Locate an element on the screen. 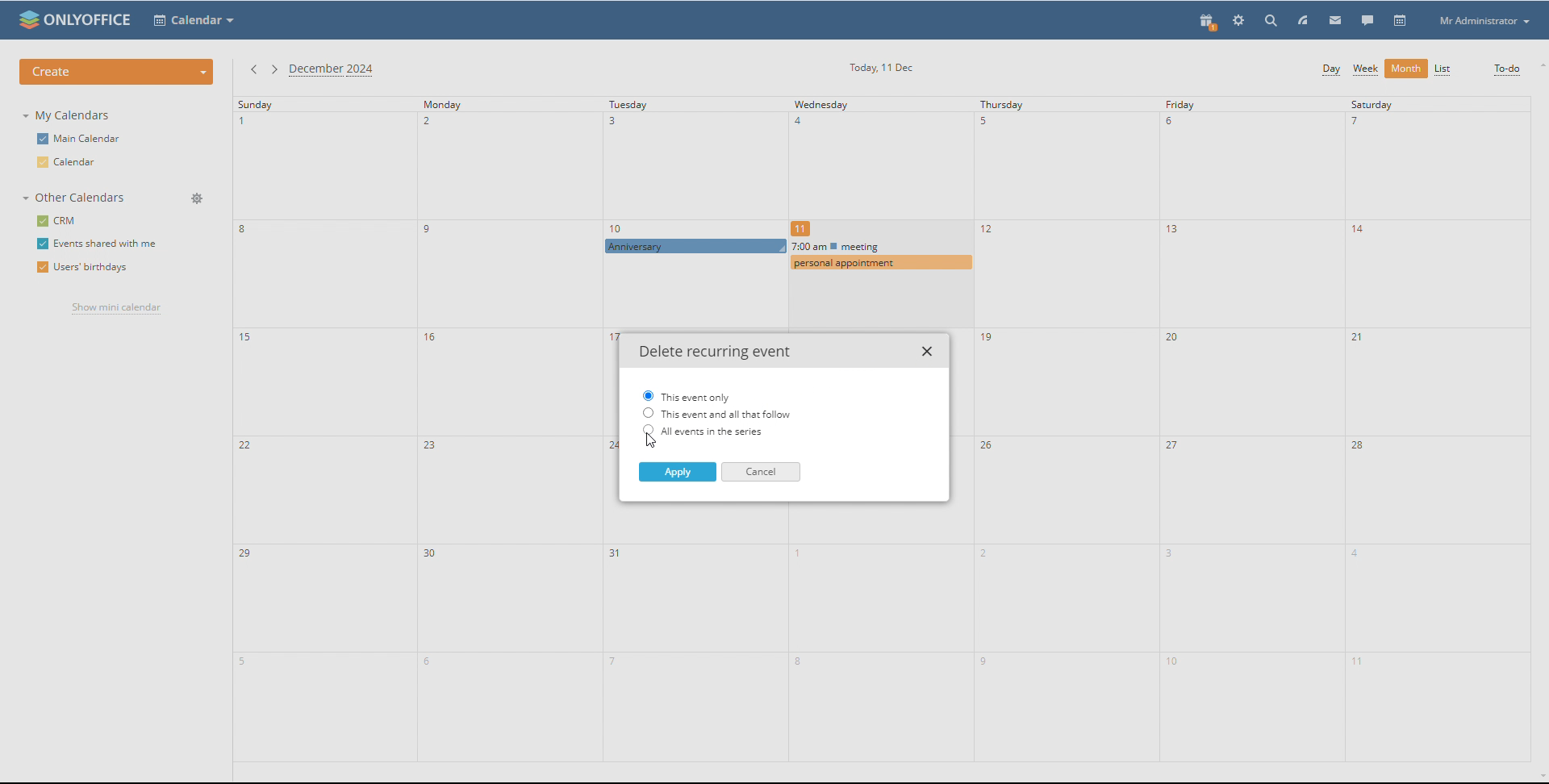 The width and height of the screenshot is (1549, 784). previous month is located at coordinates (254, 71).